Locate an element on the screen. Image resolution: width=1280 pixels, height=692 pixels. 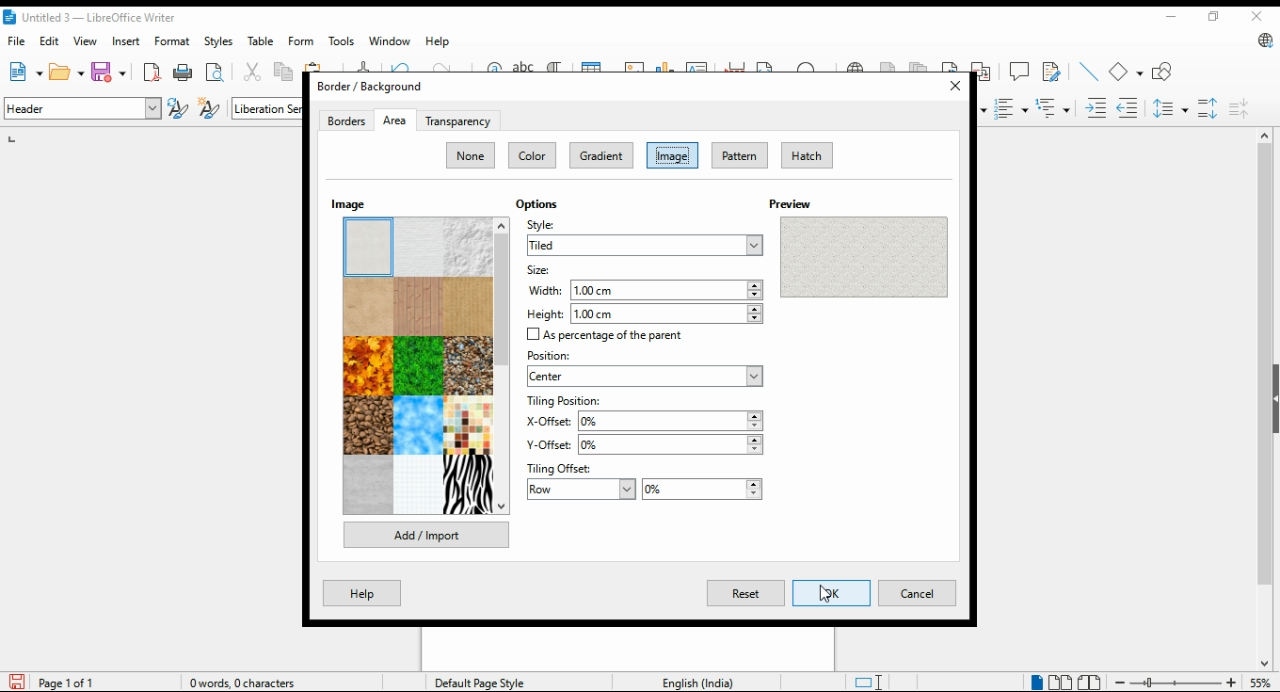
options is located at coordinates (540, 204).